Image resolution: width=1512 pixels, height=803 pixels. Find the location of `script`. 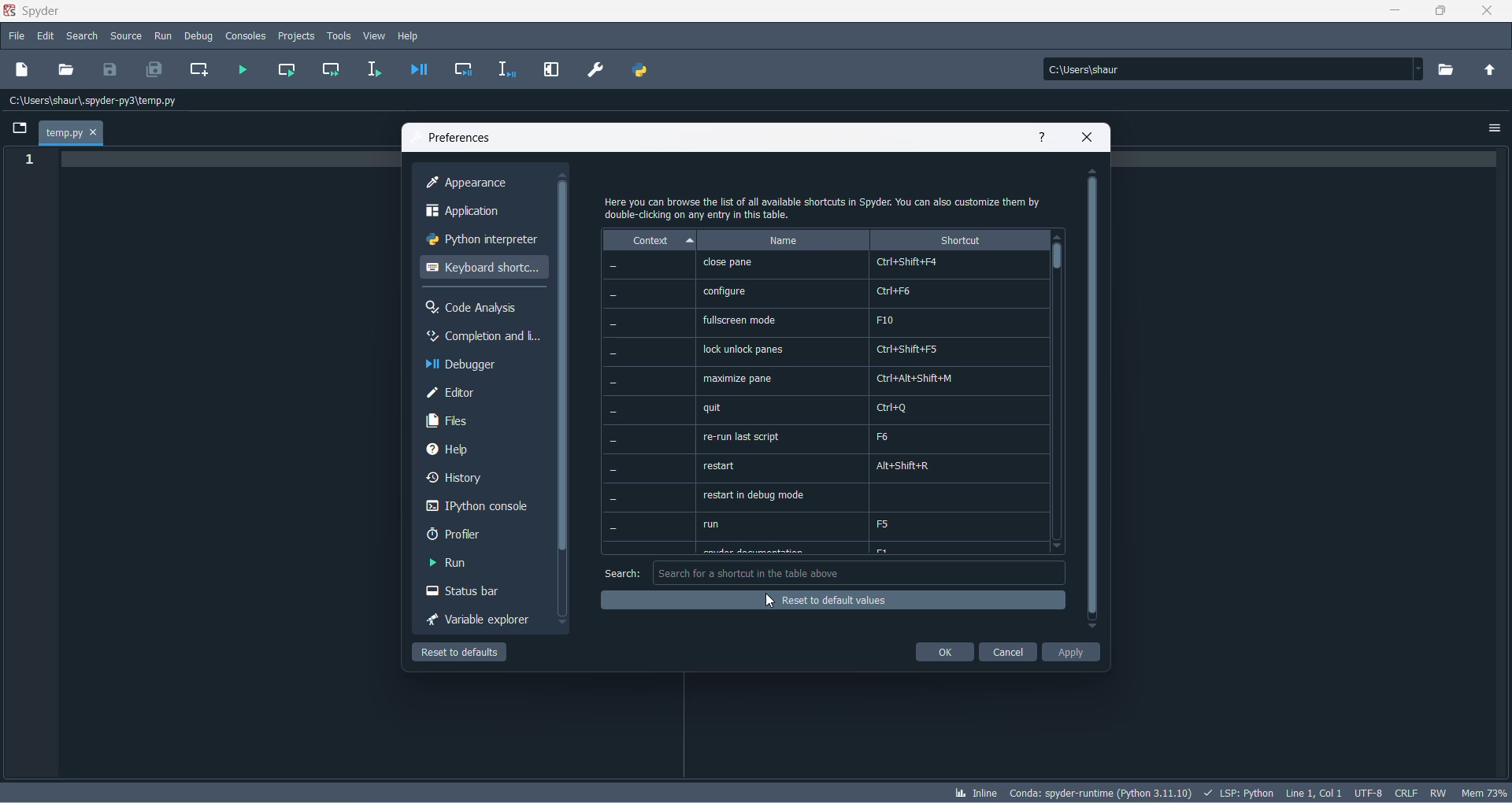

script is located at coordinates (1239, 792).